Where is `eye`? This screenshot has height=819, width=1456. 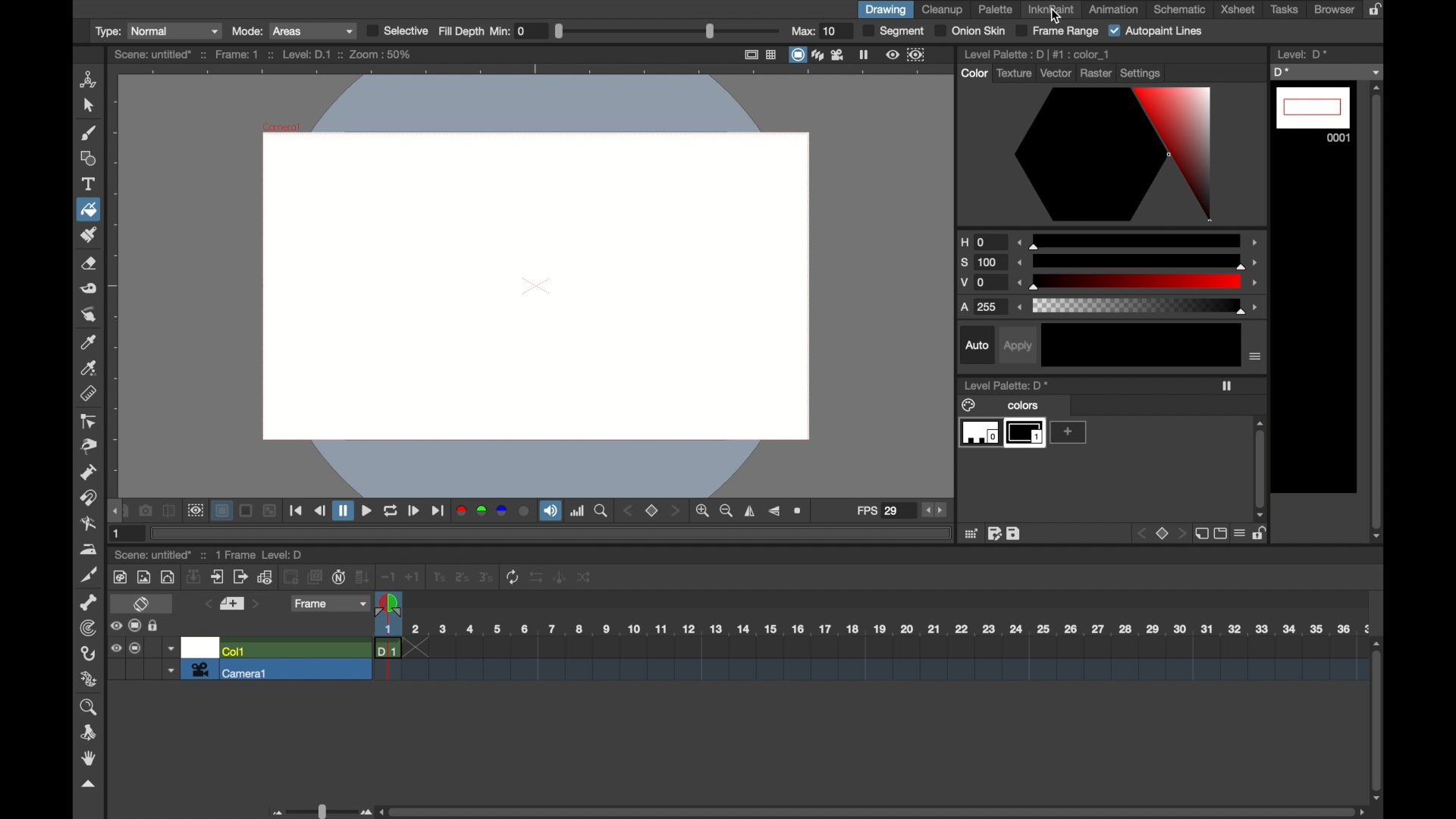 eye is located at coordinates (115, 626).